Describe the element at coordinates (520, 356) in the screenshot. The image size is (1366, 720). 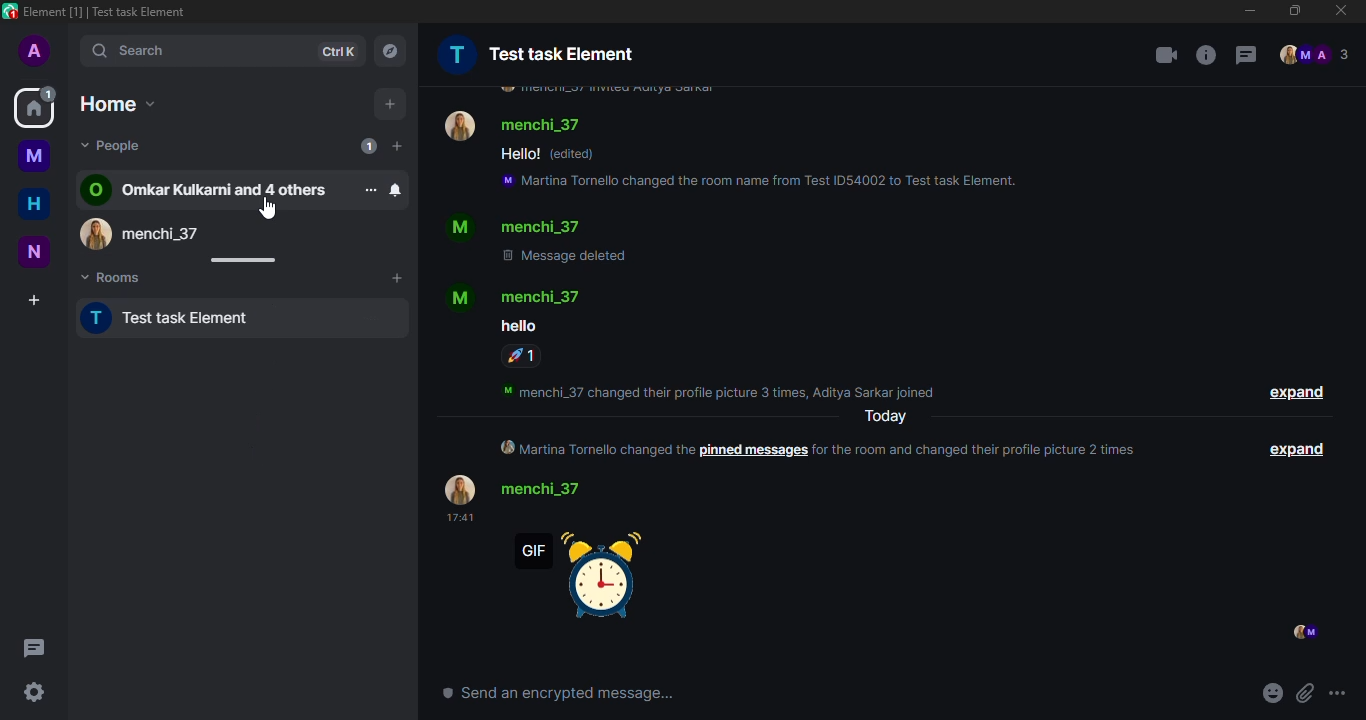
I see `1` at that location.